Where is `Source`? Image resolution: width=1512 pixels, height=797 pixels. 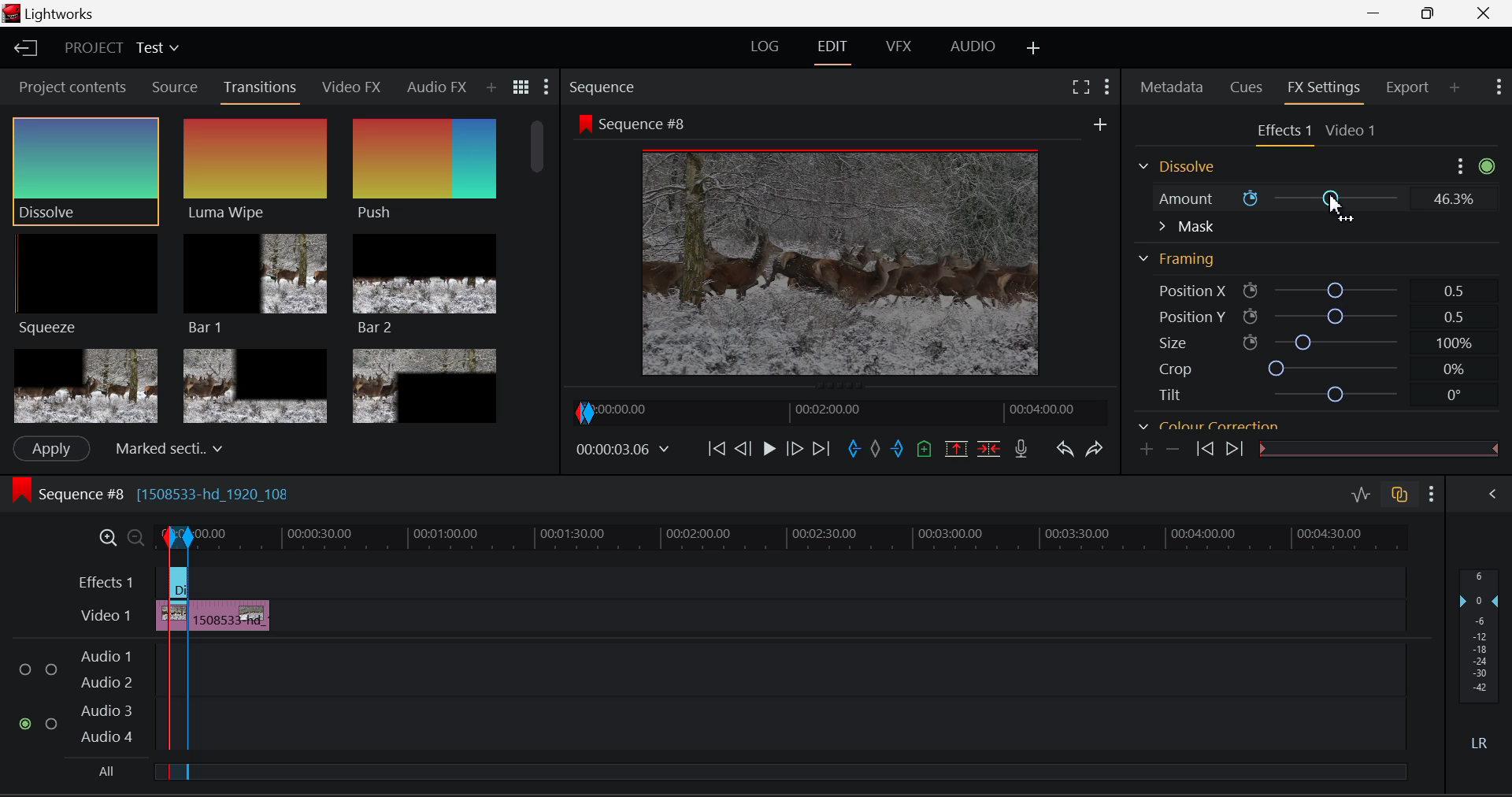
Source is located at coordinates (176, 87).